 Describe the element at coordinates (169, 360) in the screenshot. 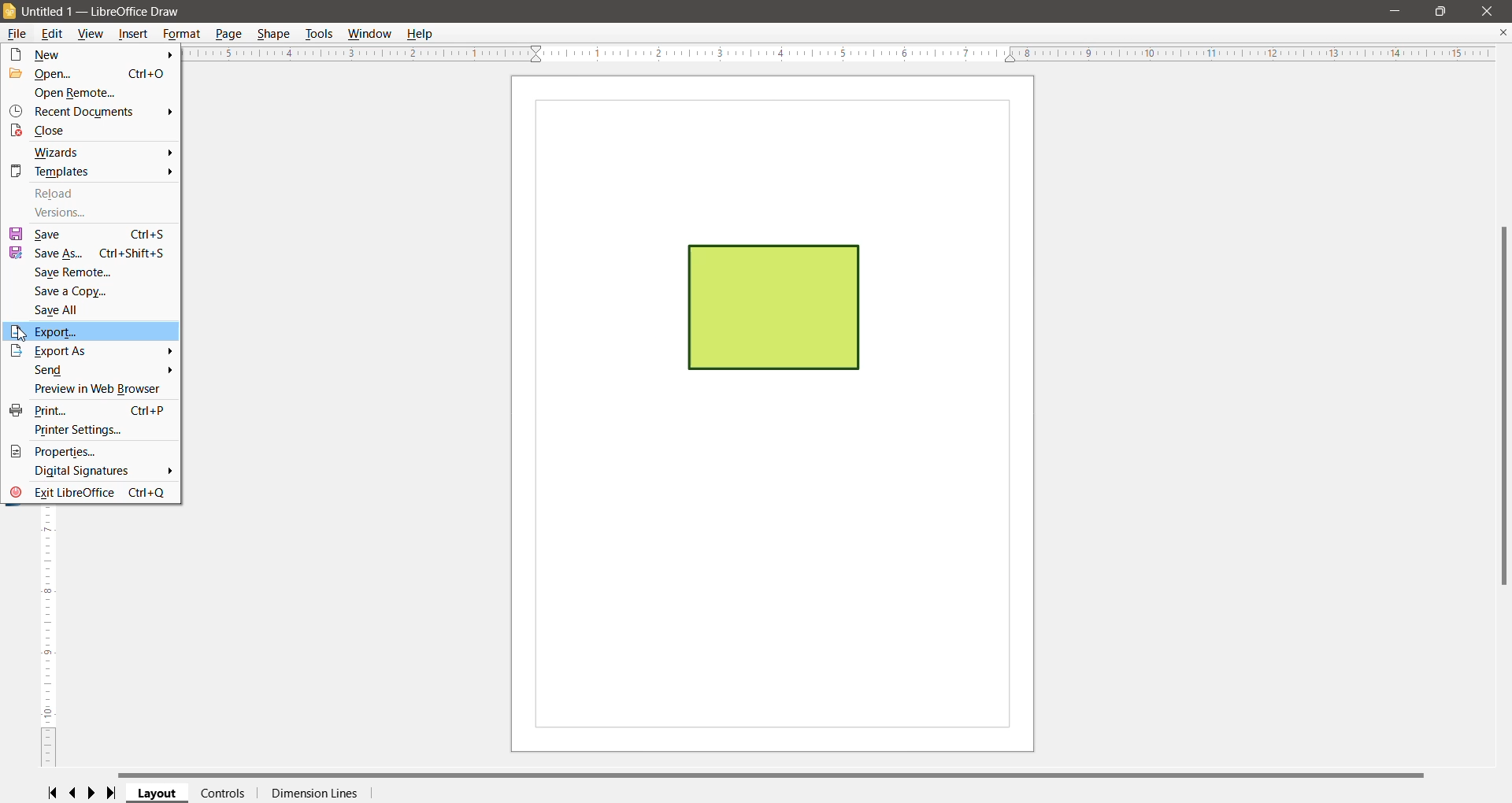

I see `More options` at that location.